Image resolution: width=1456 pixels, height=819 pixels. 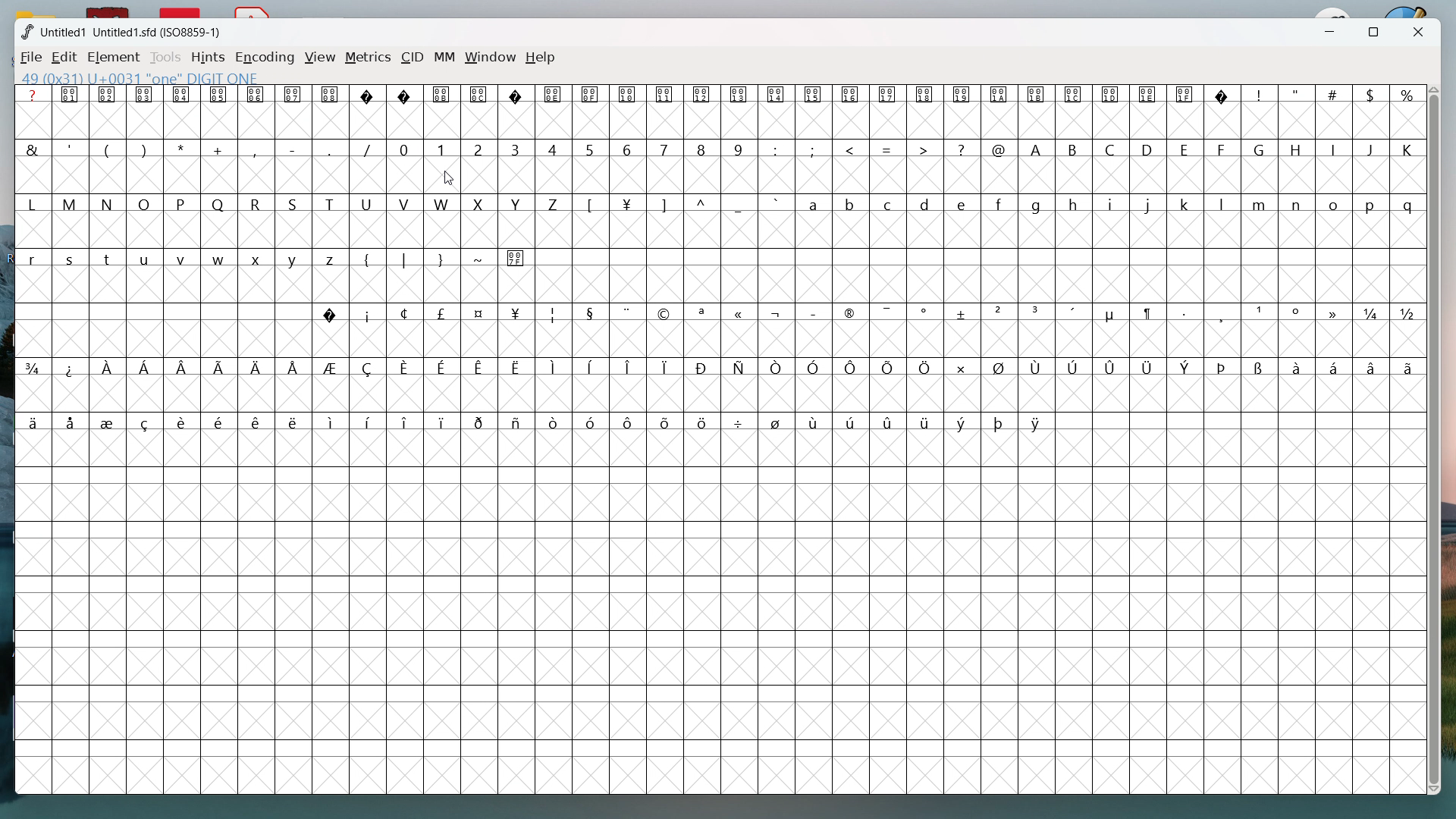 I want to click on symbol, so click(x=1299, y=312).